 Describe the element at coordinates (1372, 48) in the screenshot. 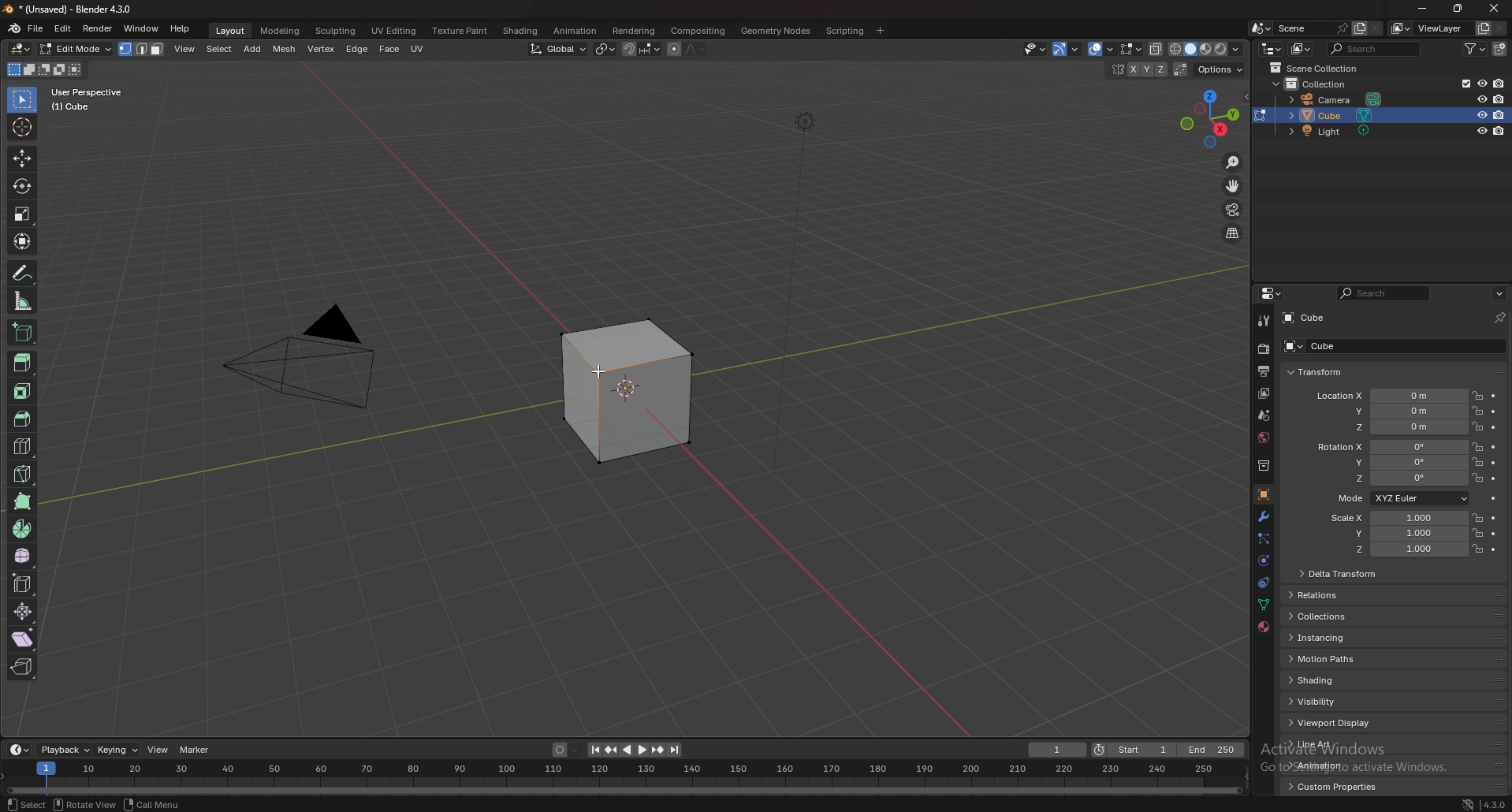

I see `search` at that location.